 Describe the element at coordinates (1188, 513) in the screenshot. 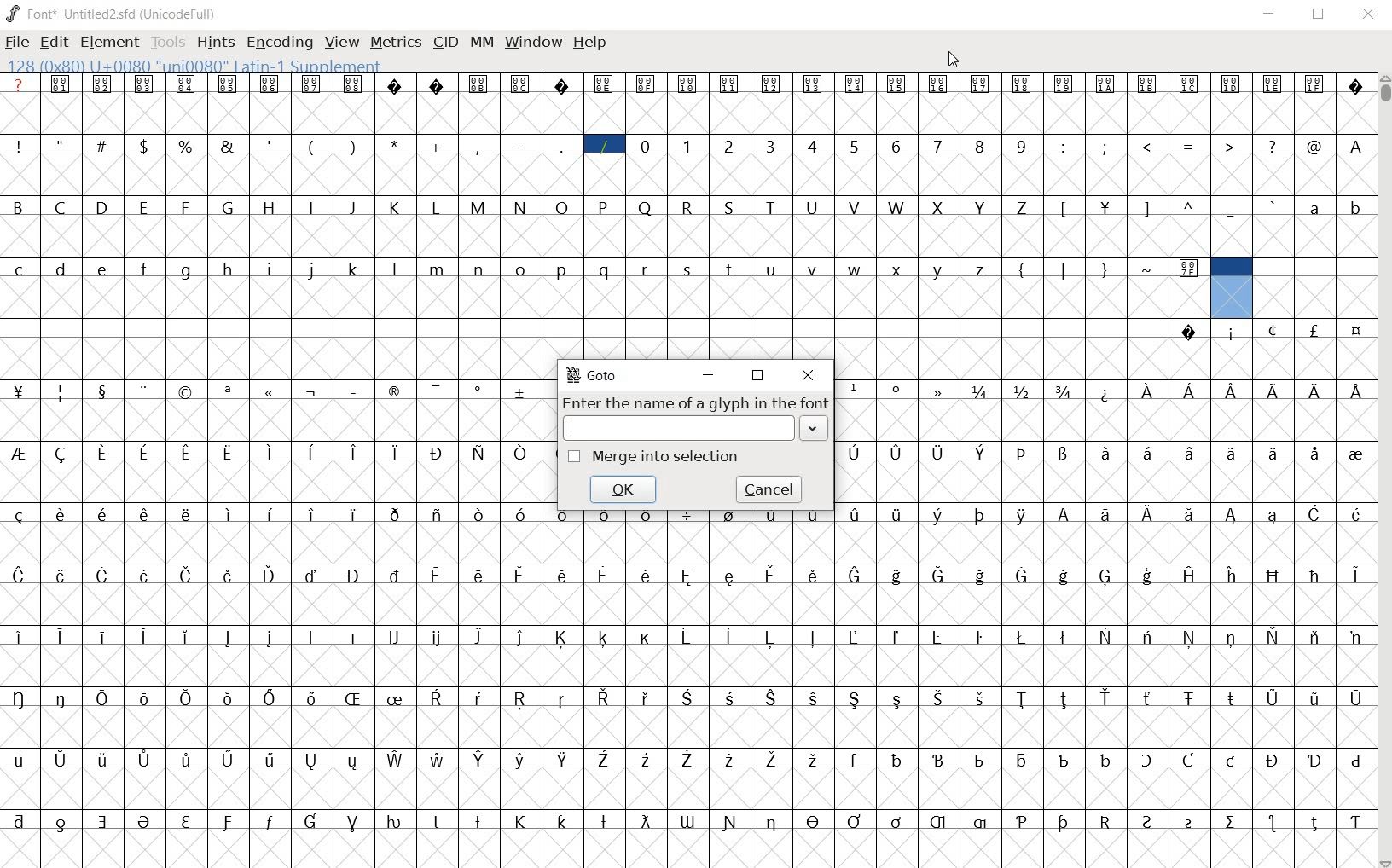

I see `Symbol` at that location.